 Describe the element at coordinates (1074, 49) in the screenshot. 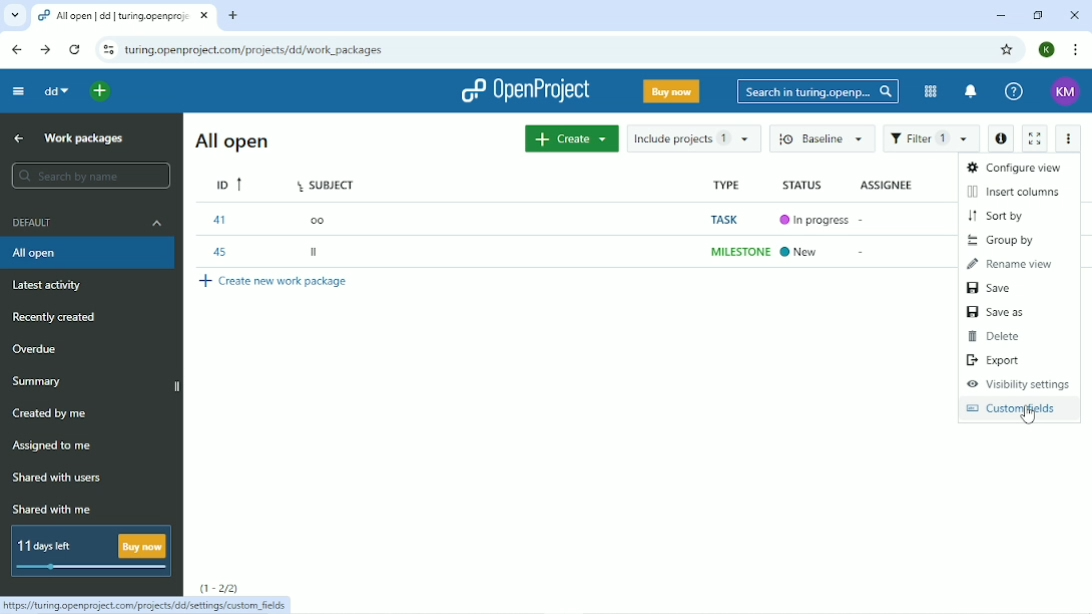

I see `Customize and control google chrome` at that location.